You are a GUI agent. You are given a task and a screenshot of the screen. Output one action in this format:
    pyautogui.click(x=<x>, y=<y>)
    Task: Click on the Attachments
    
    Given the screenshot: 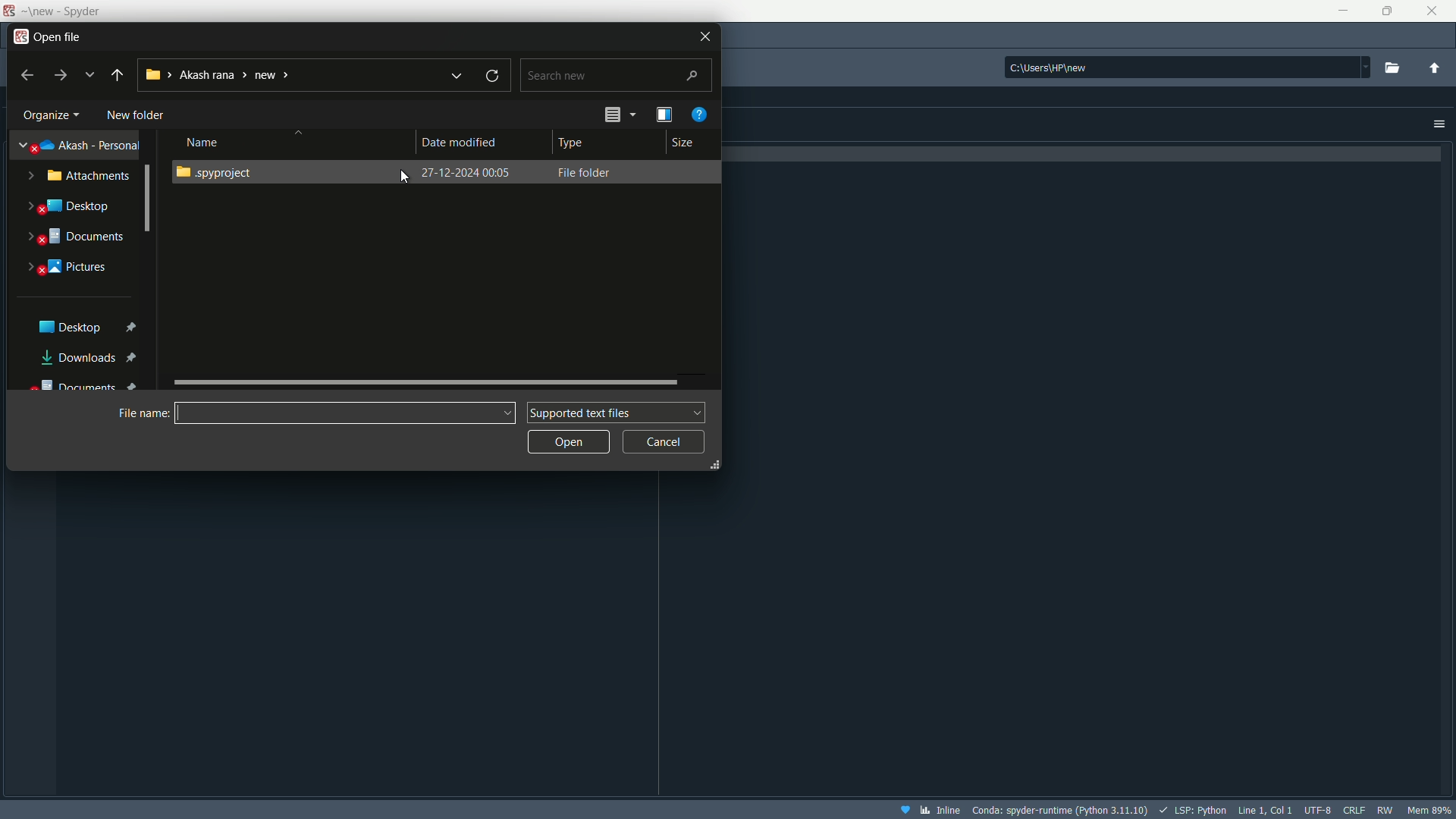 What is the action you would take?
    pyautogui.click(x=81, y=176)
    